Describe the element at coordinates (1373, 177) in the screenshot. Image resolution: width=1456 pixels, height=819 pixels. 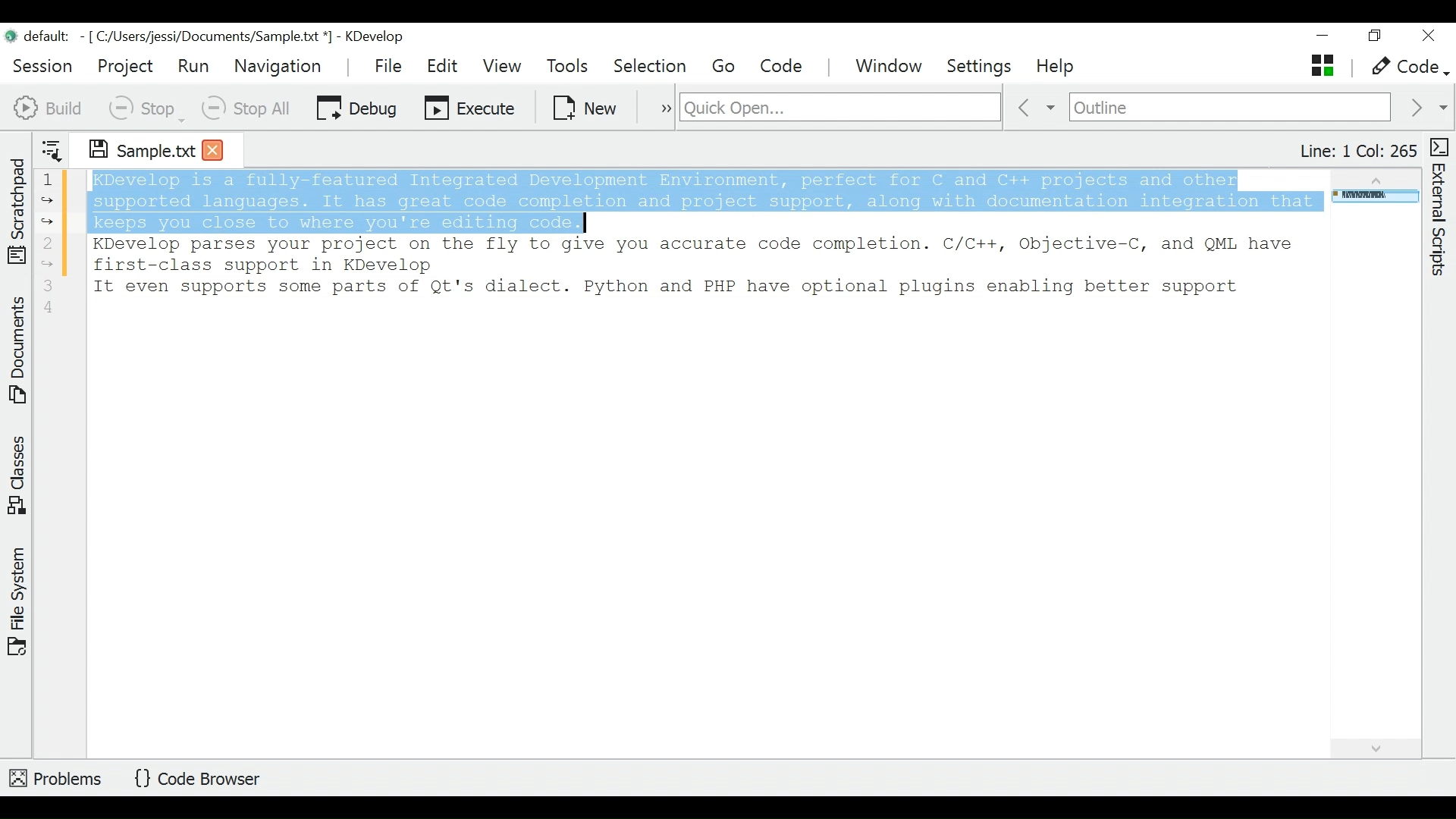
I see `Scroll up` at that location.